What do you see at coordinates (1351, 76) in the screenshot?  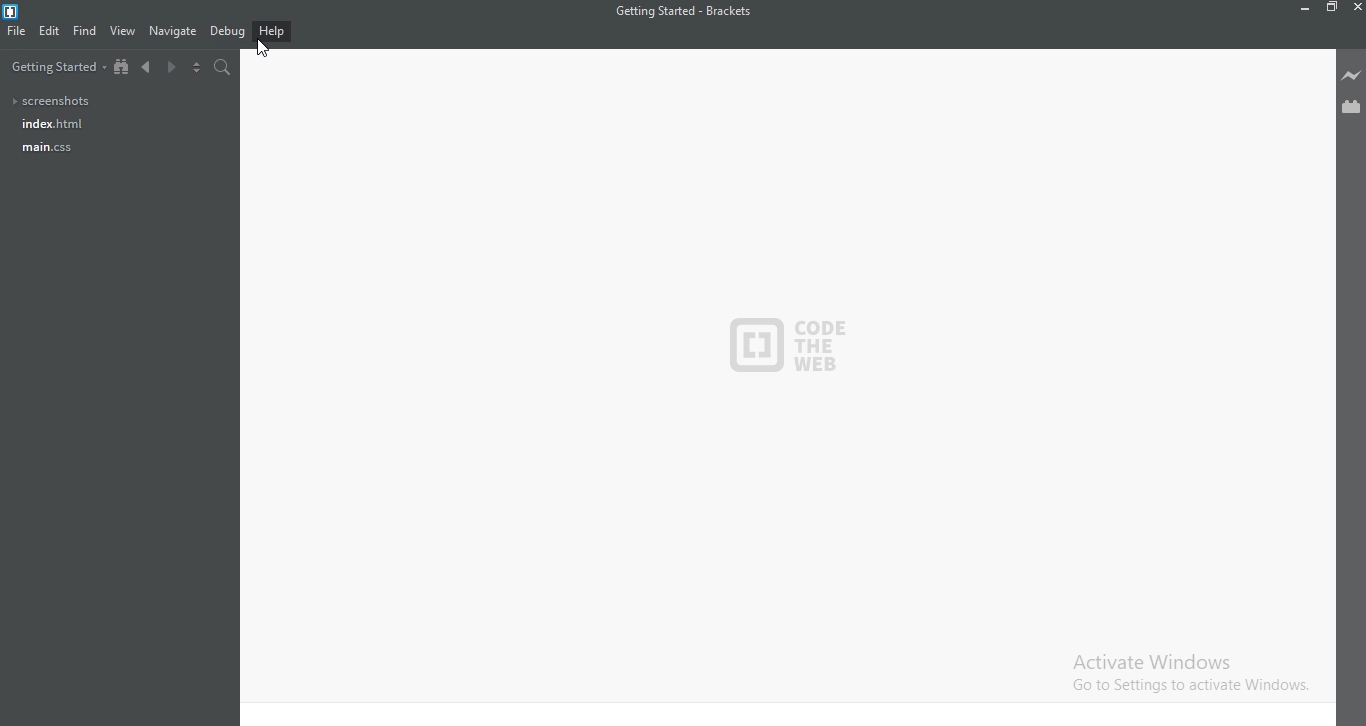 I see `Live preview` at bounding box center [1351, 76].